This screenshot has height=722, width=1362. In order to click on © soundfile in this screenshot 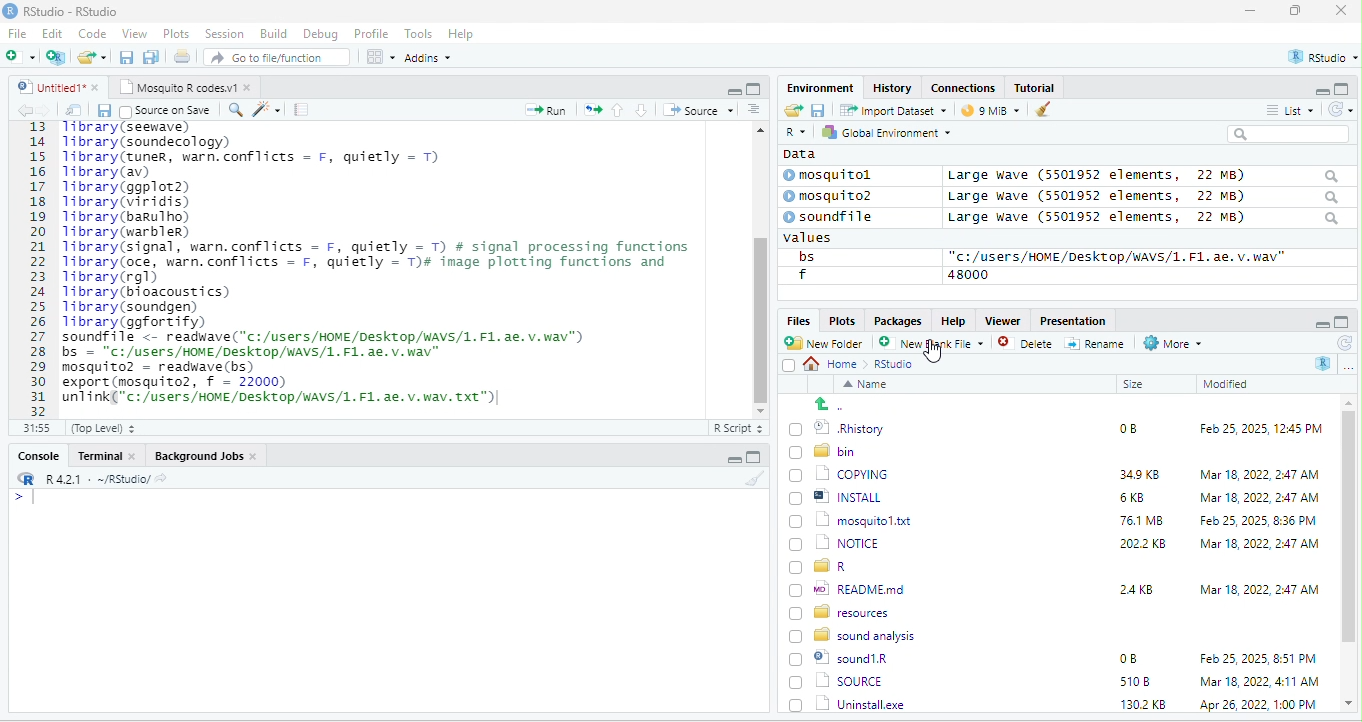, I will do `click(837, 216)`.